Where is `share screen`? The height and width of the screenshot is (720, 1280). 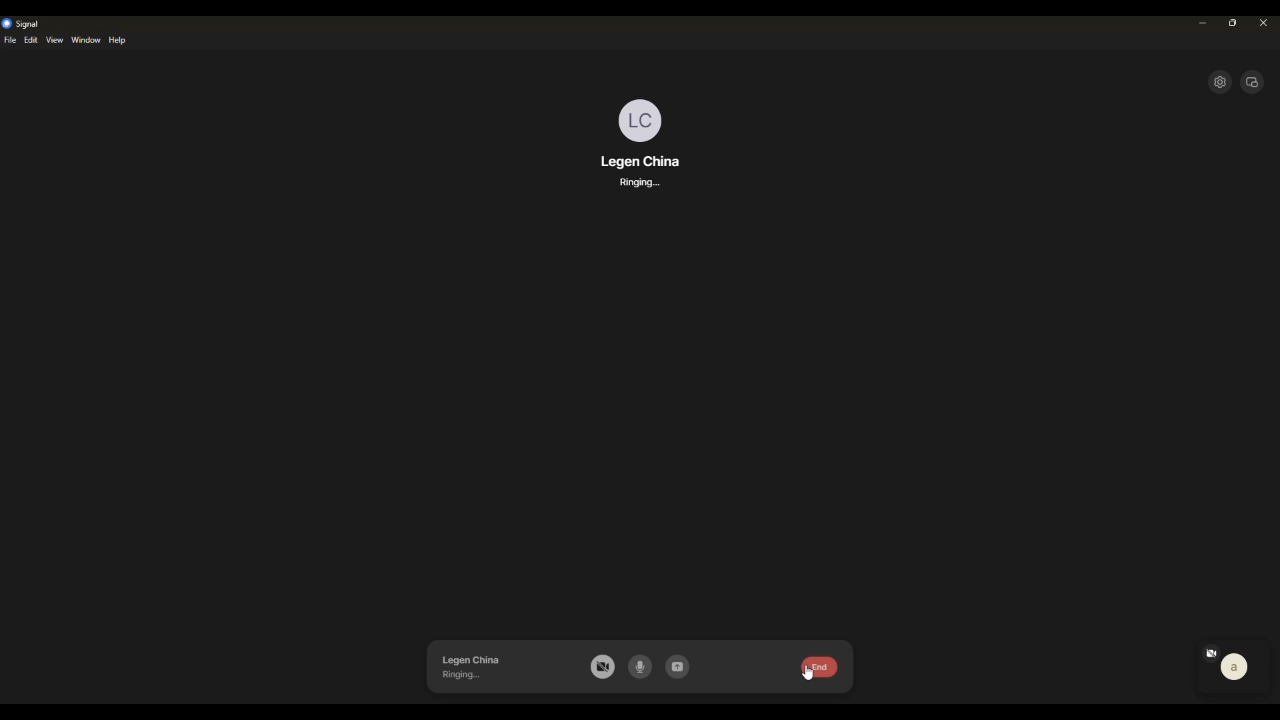
share screen is located at coordinates (681, 665).